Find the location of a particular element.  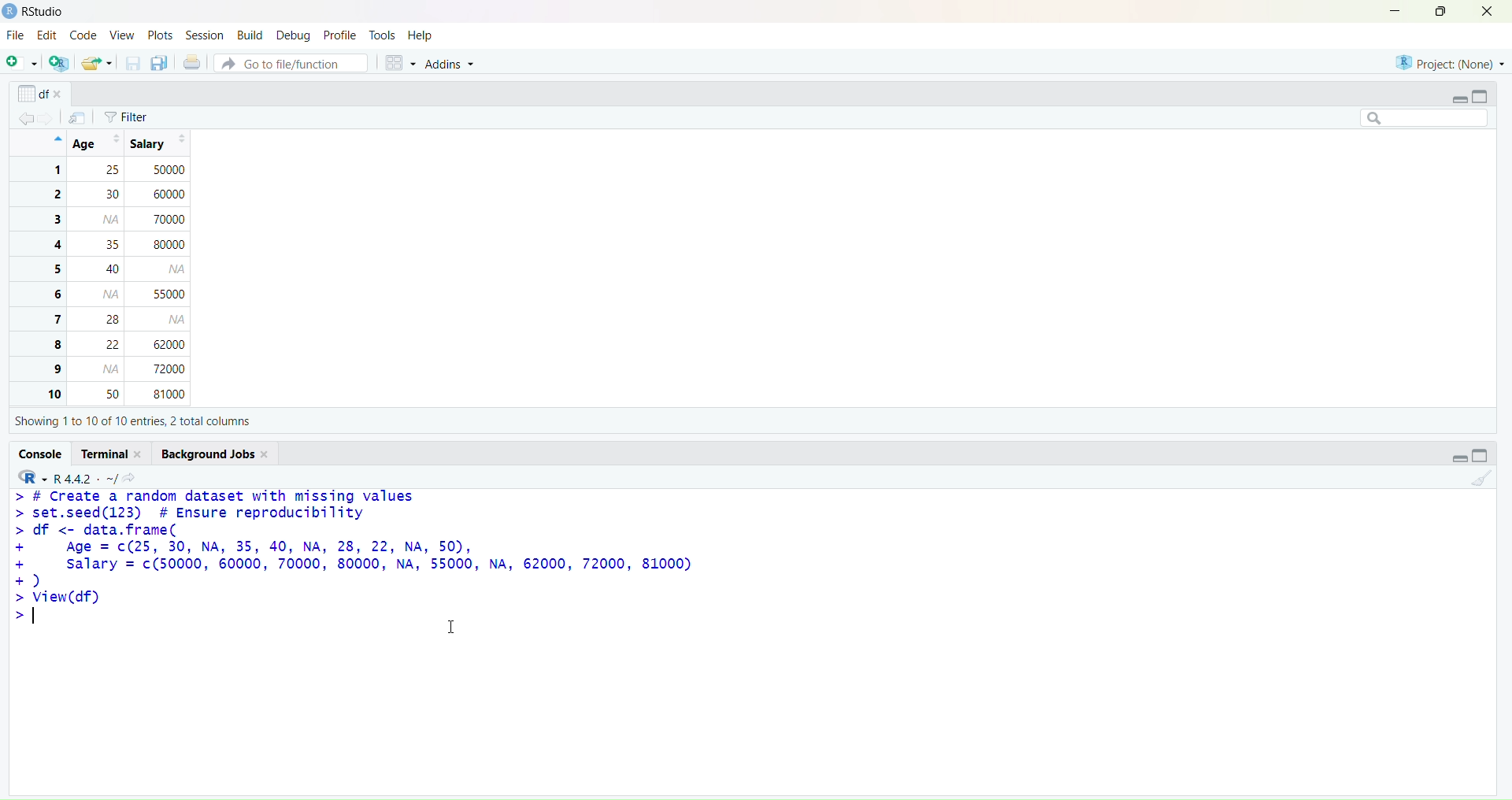

cursor is located at coordinates (452, 628).